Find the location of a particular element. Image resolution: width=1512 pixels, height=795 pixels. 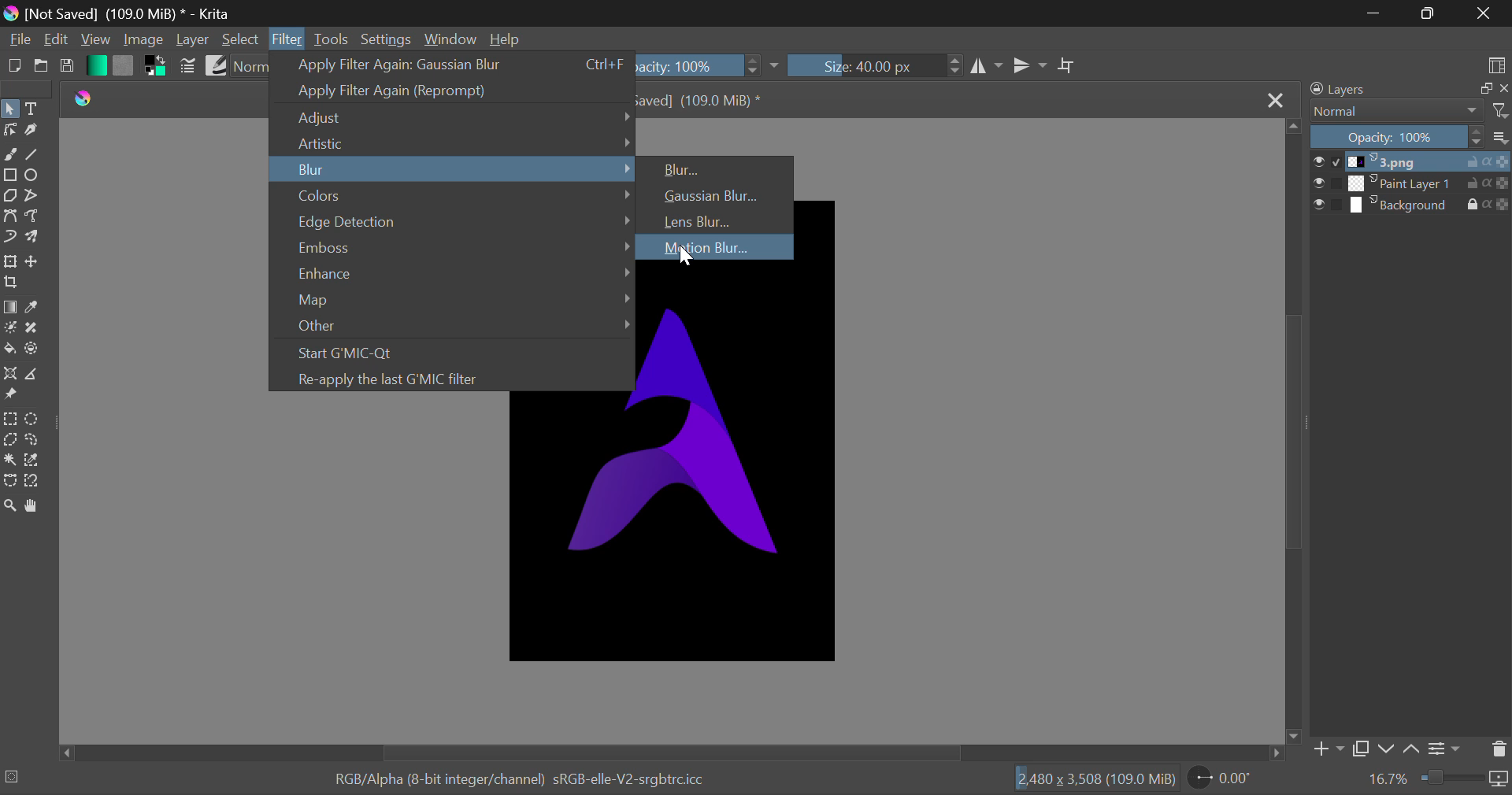

Edit is located at coordinates (57, 39).